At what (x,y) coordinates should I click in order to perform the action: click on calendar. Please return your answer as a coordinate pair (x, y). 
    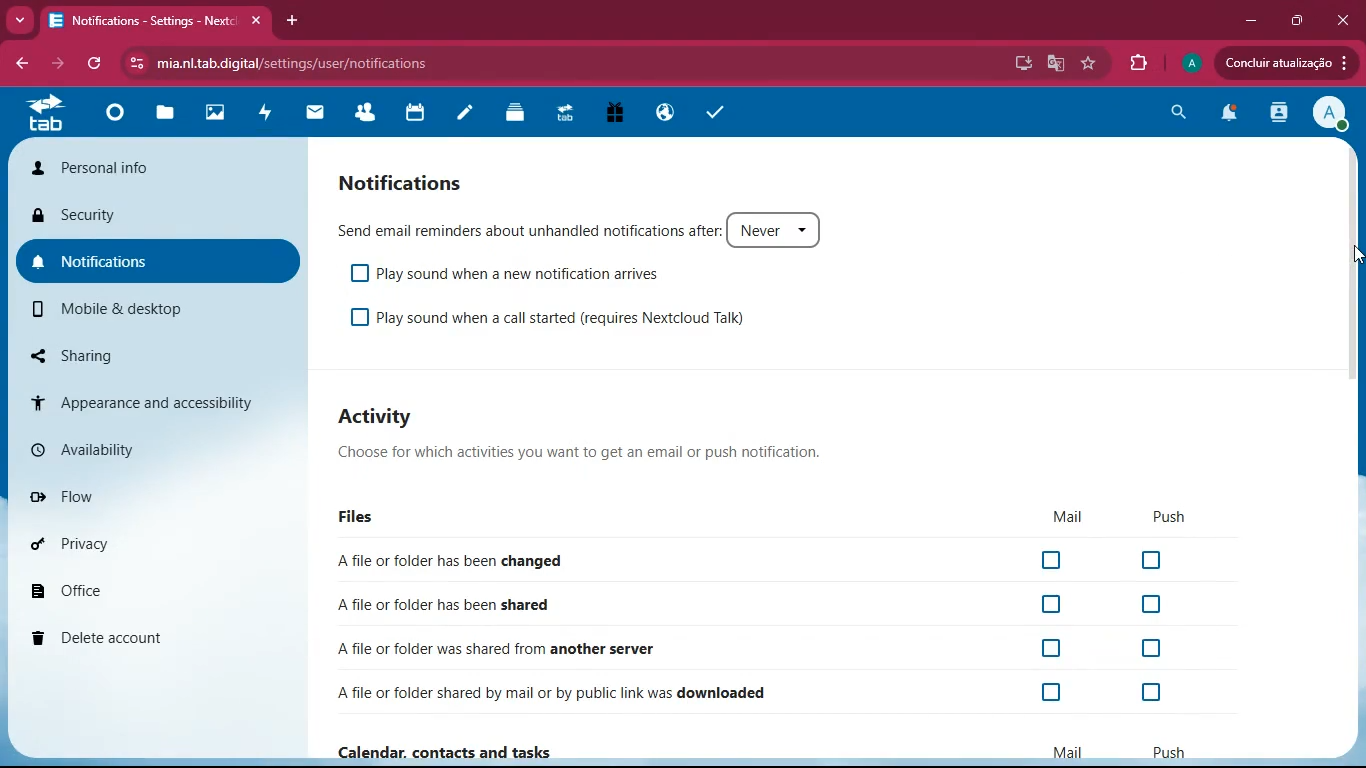
    Looking at the image, I should click on (417, 116).